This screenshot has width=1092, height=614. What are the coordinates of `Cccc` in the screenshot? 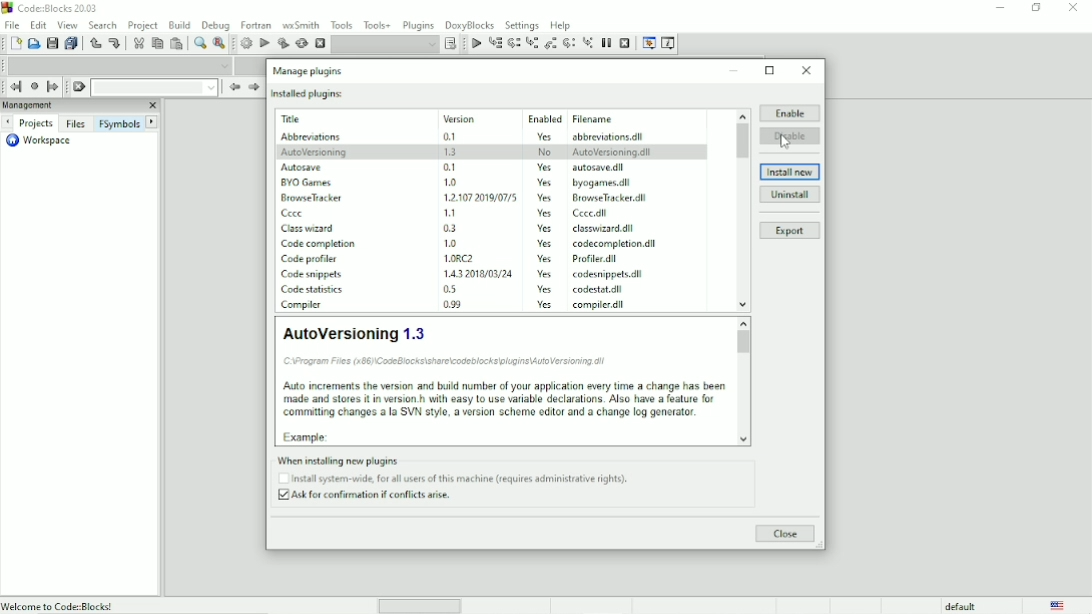 It's located at (296, 214).